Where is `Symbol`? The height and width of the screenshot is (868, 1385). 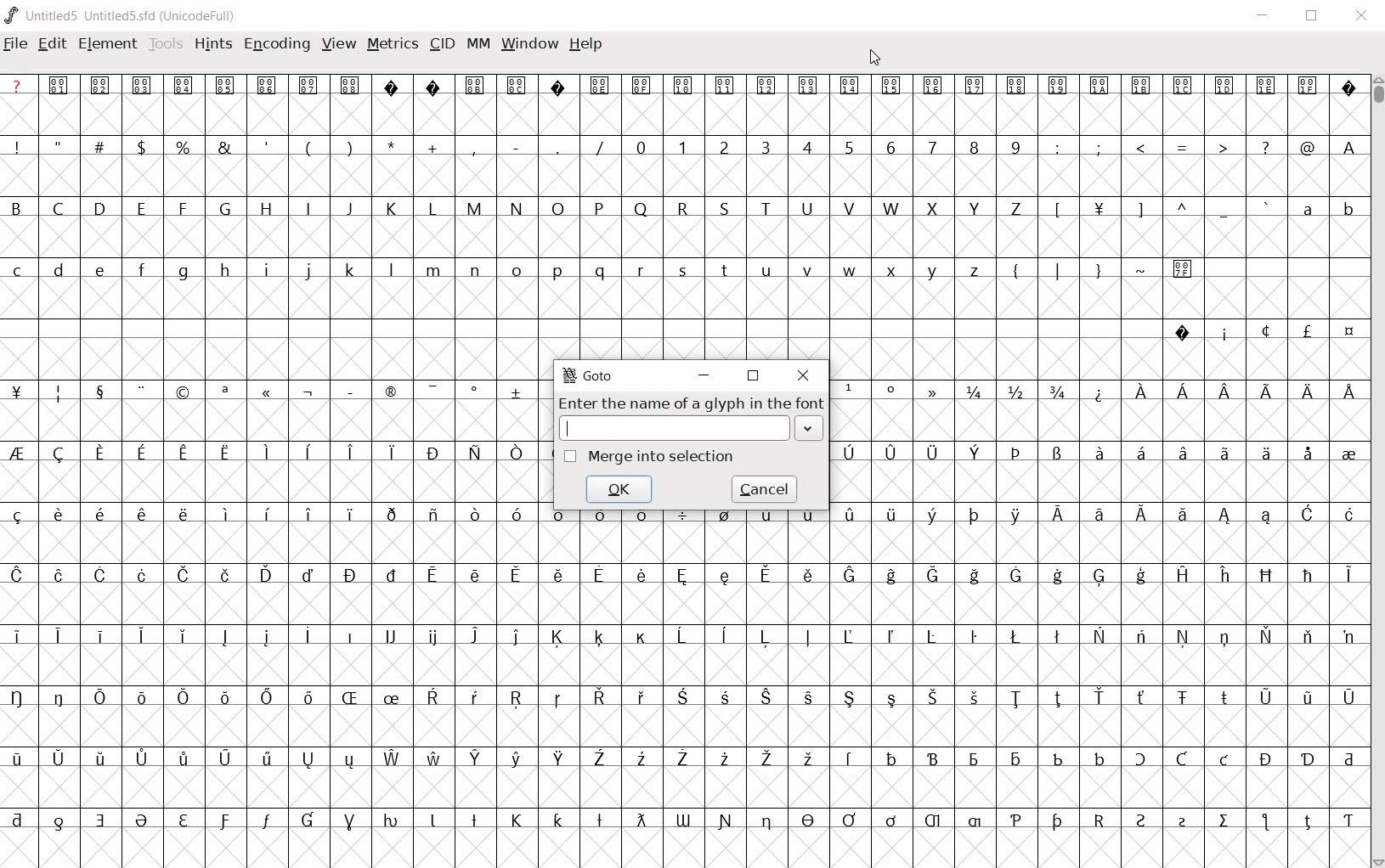
Symbol is located at coordinates (977, 454).